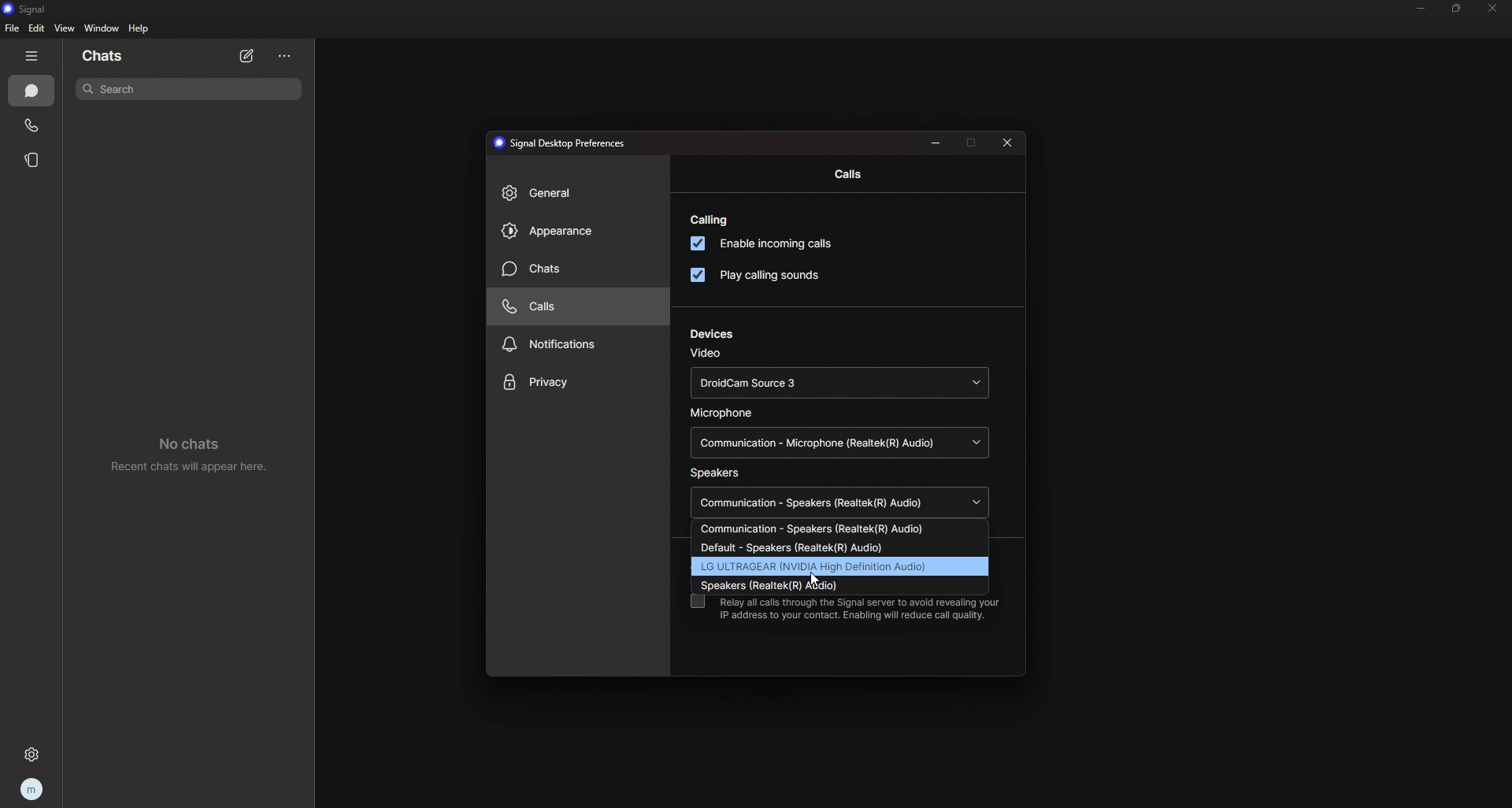  I want to click on chats, so click(32, 91).